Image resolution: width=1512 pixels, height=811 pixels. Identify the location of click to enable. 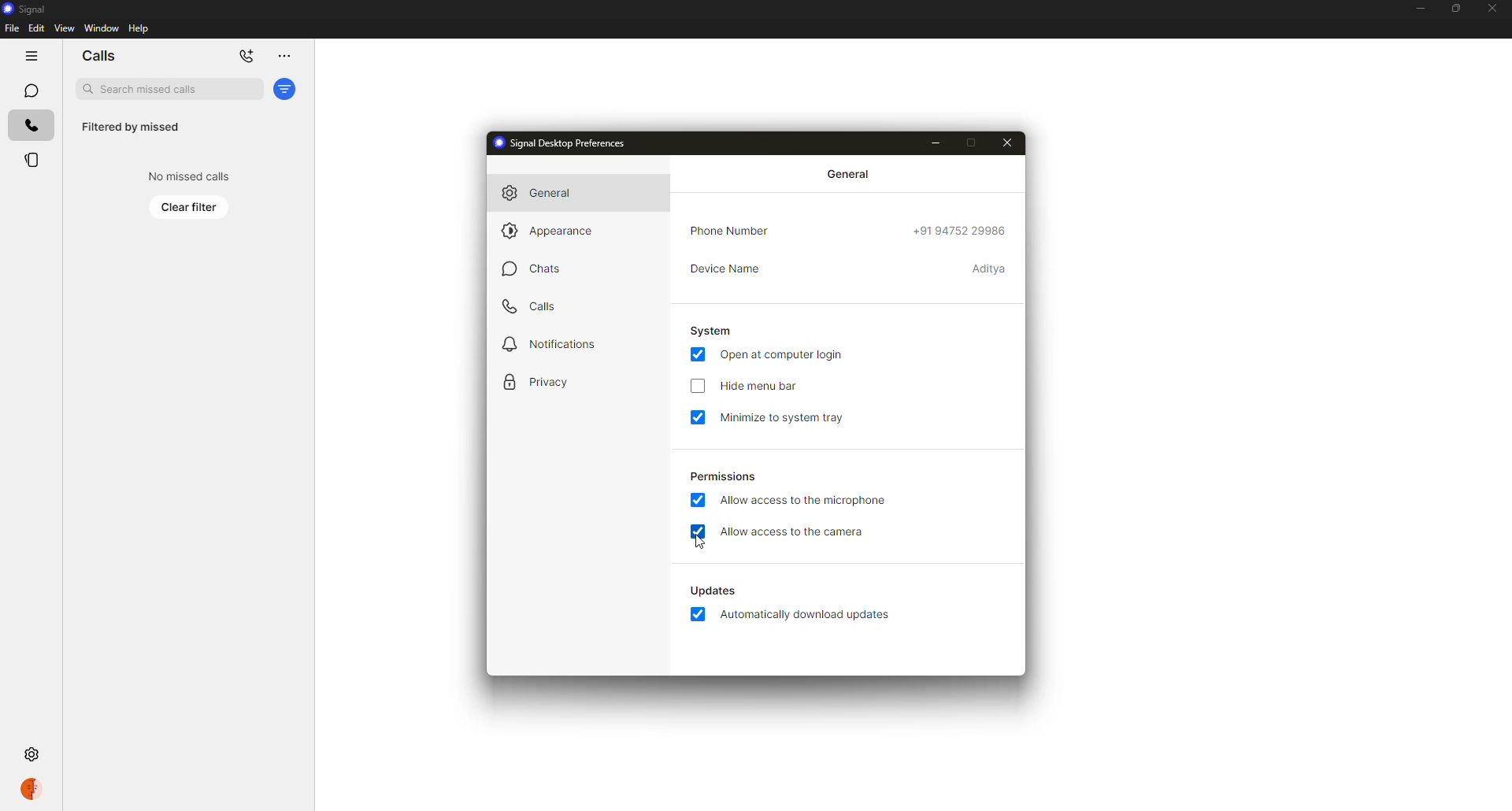
(698, 385).